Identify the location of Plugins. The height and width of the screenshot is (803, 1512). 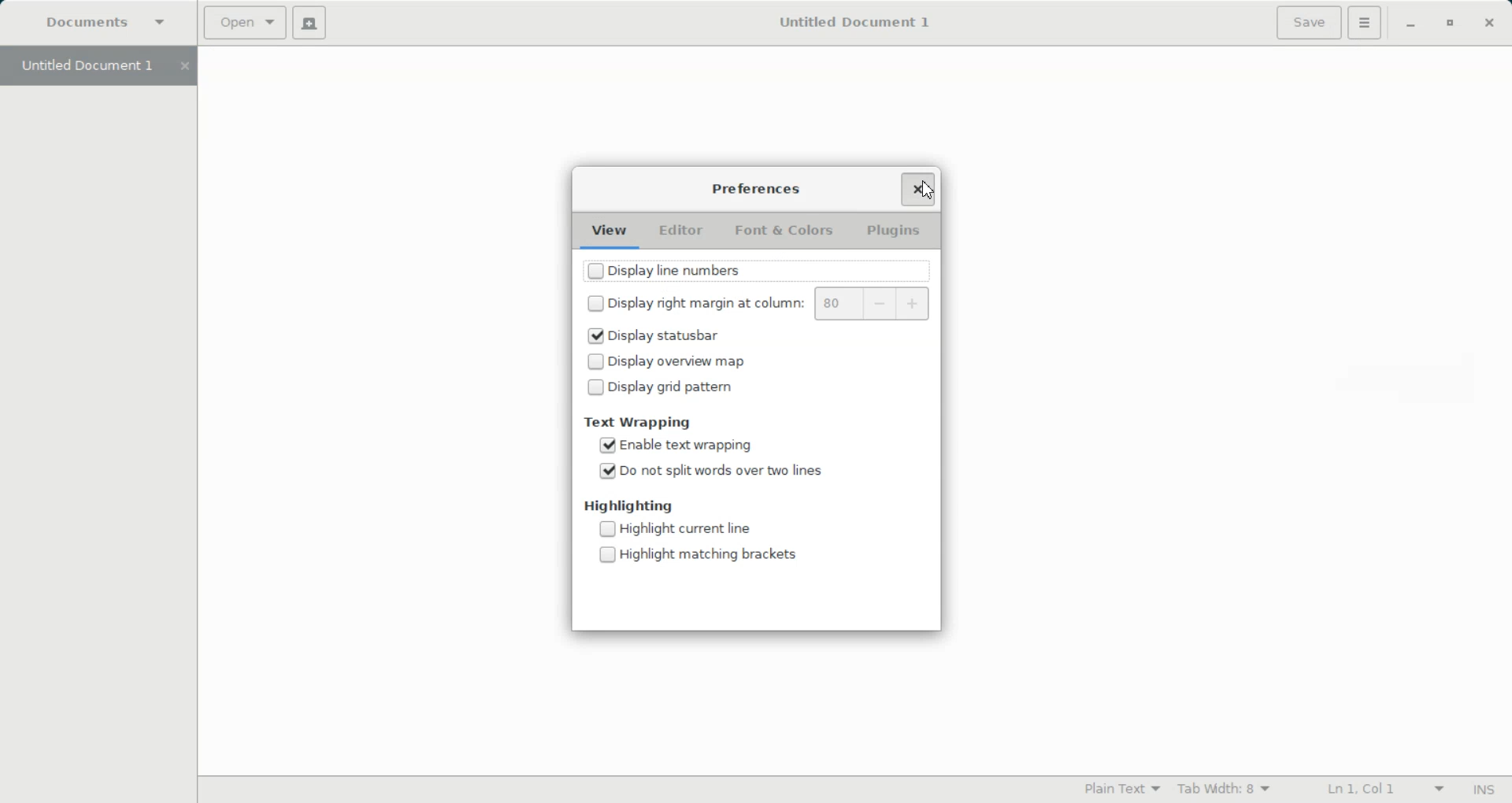
(895, 231).